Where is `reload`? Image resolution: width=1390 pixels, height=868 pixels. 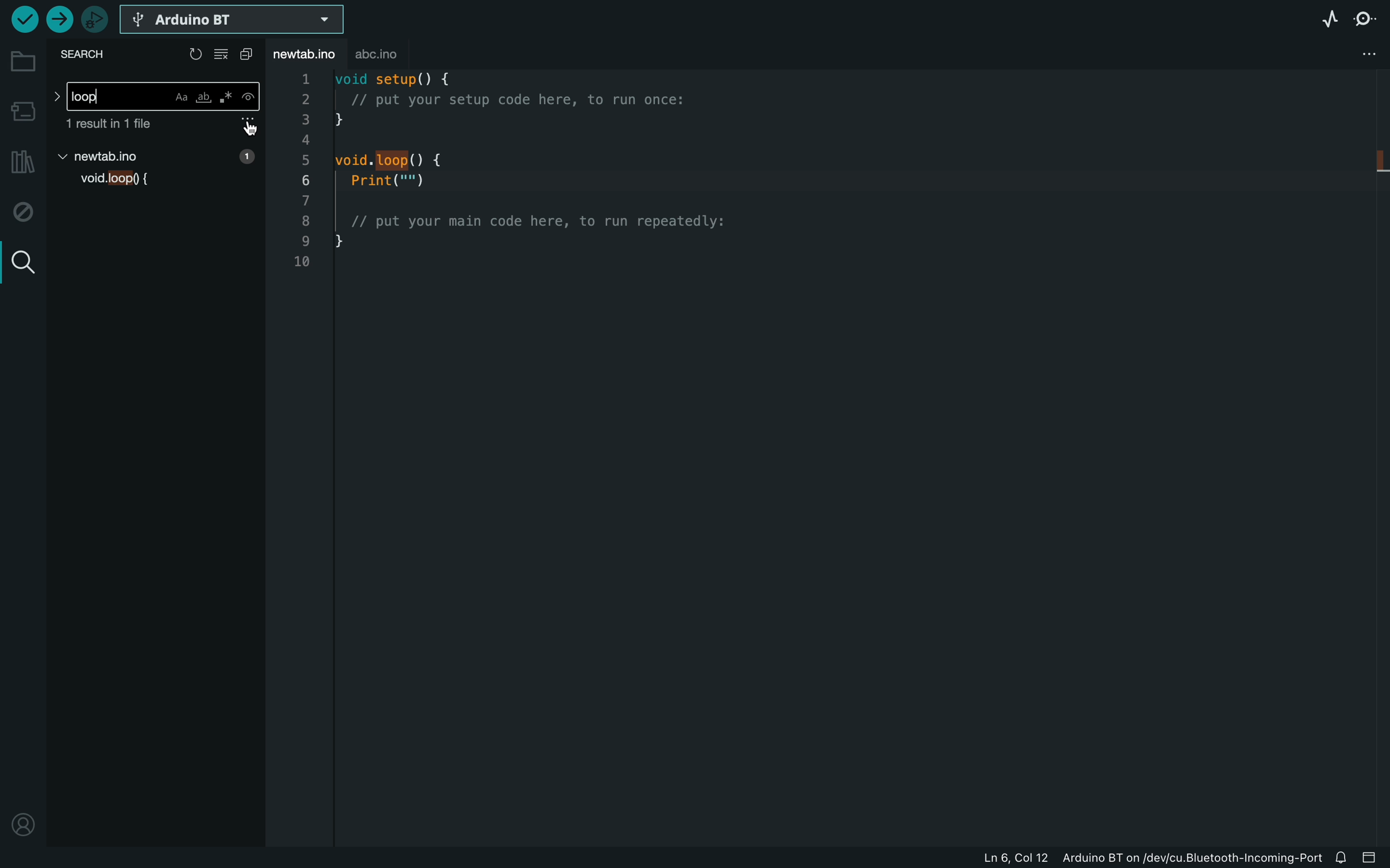 reload is located at coordinates (196, 54).